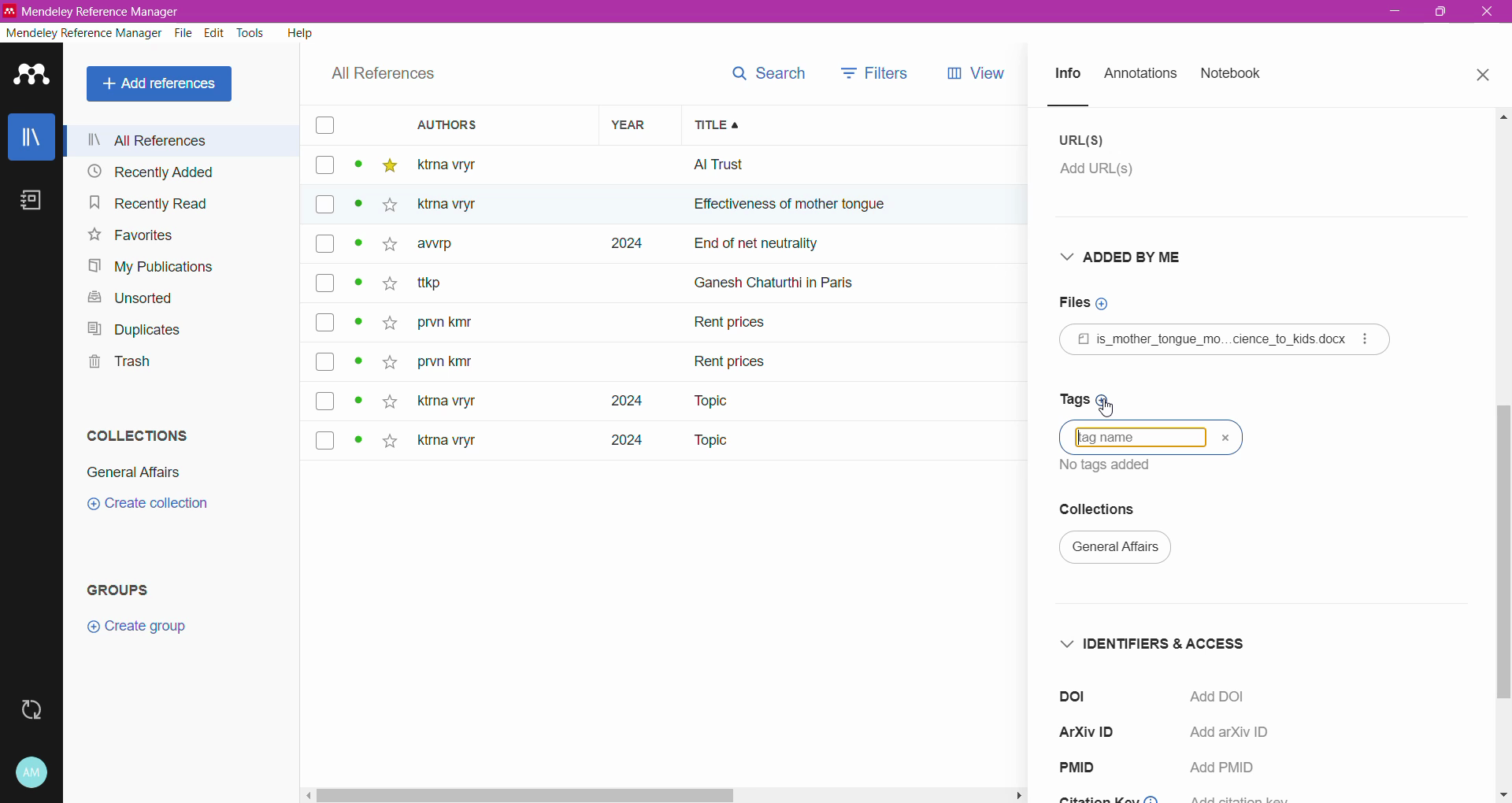 Image resolution: width=1512 pixels, height=803 pixels. I want to click on URL(S), so click(1084, 140).